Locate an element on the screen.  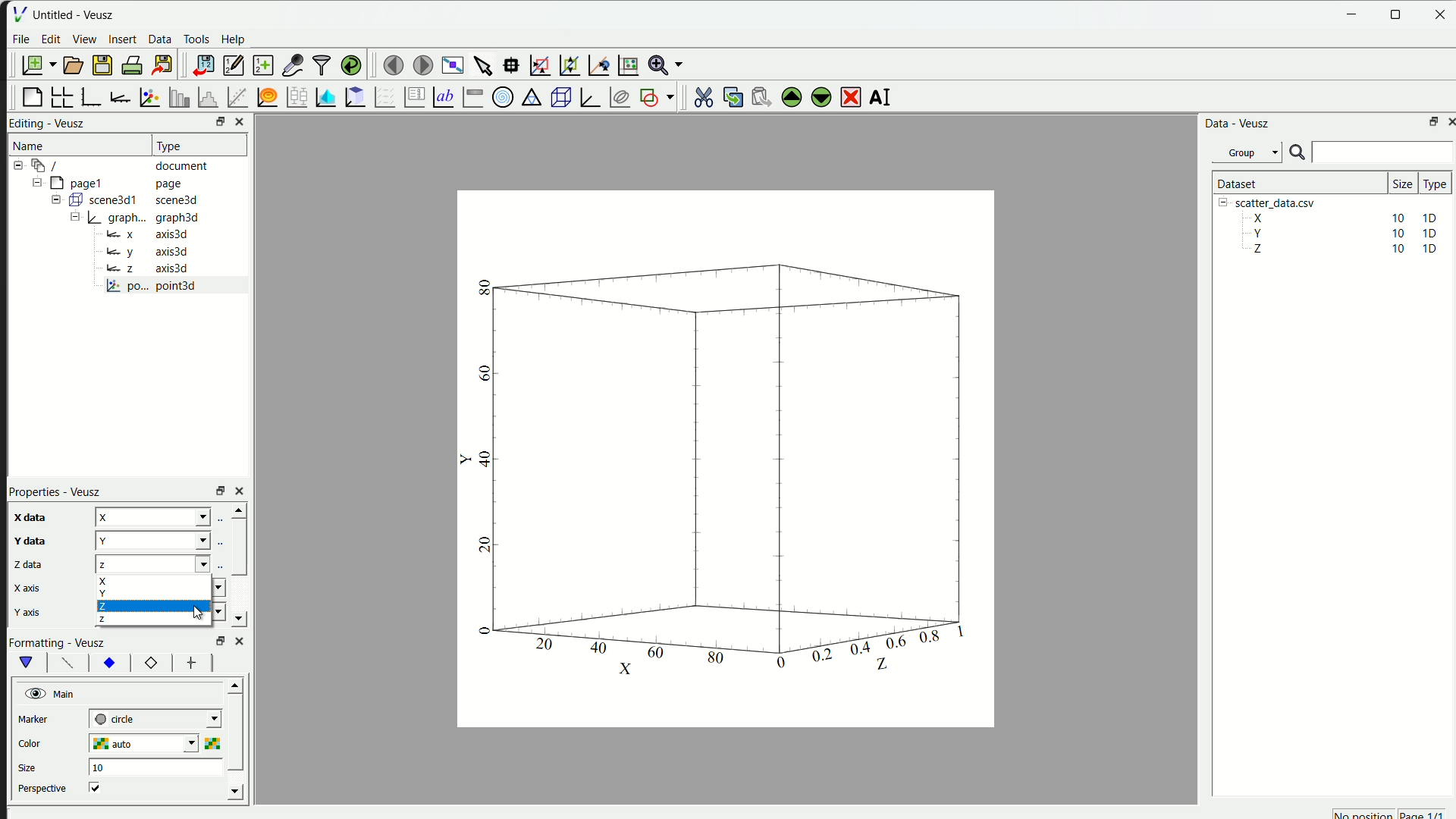
view plot full screen is located at coordinates (450, 63).